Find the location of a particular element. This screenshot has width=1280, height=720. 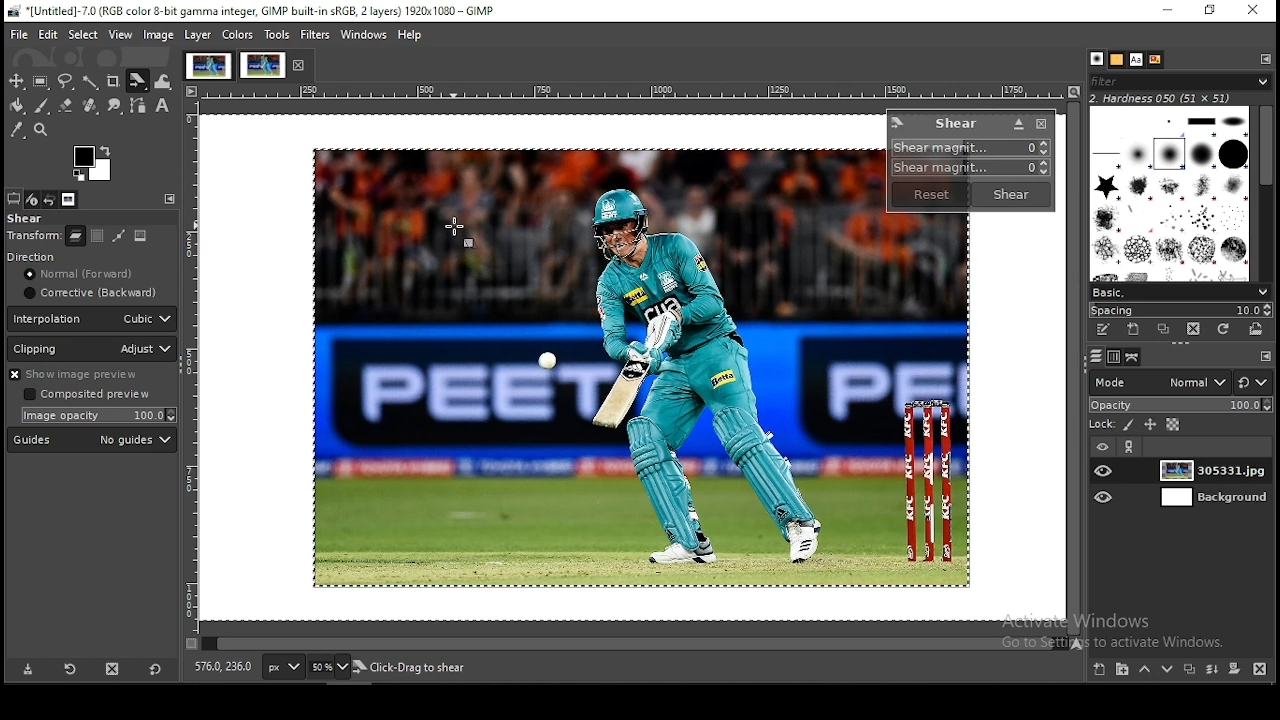

scroll bar is located at coordinates (634, 644).